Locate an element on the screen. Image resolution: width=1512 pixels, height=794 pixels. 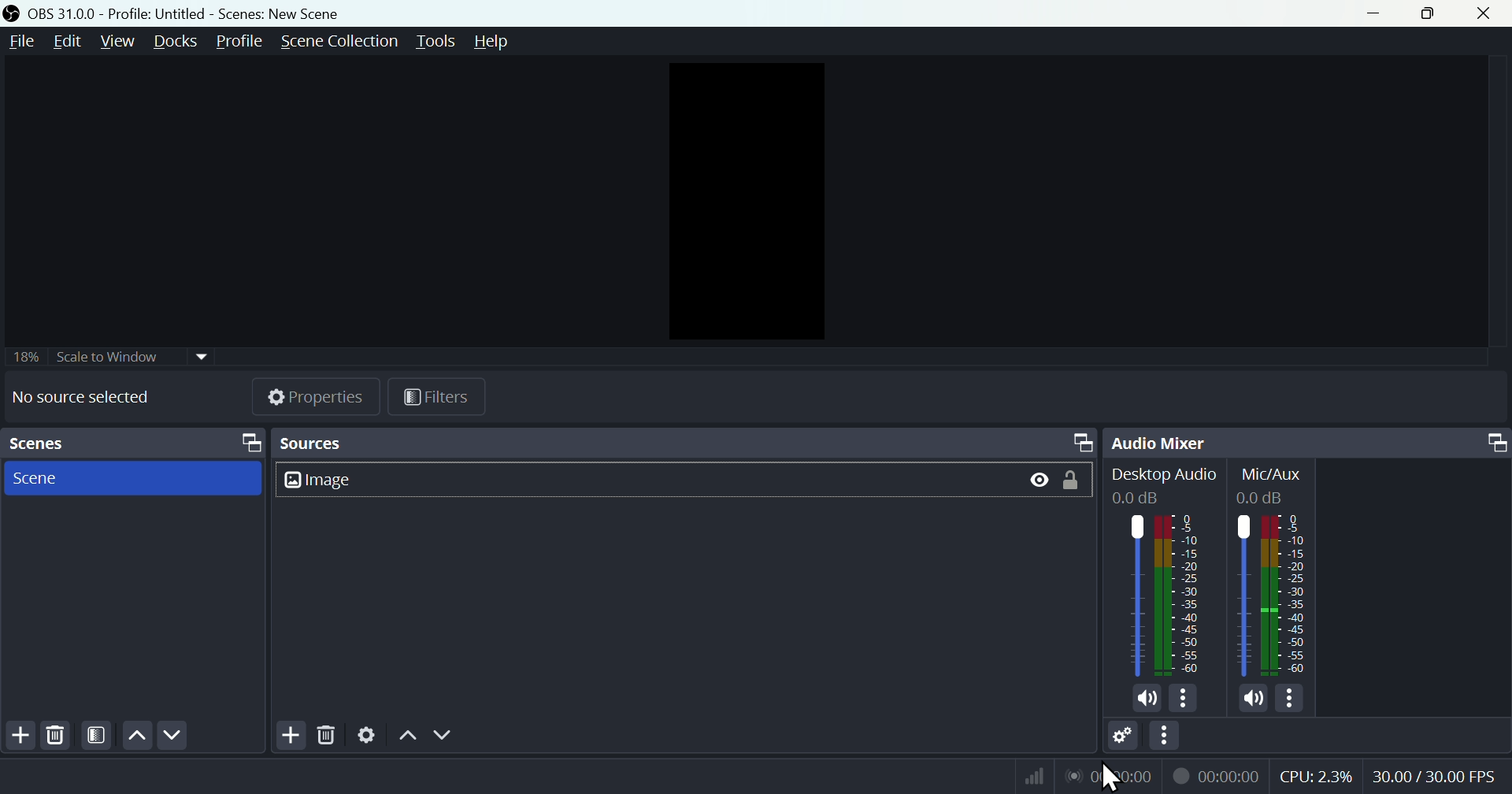
Settings is located at coordinates (1124, 738).